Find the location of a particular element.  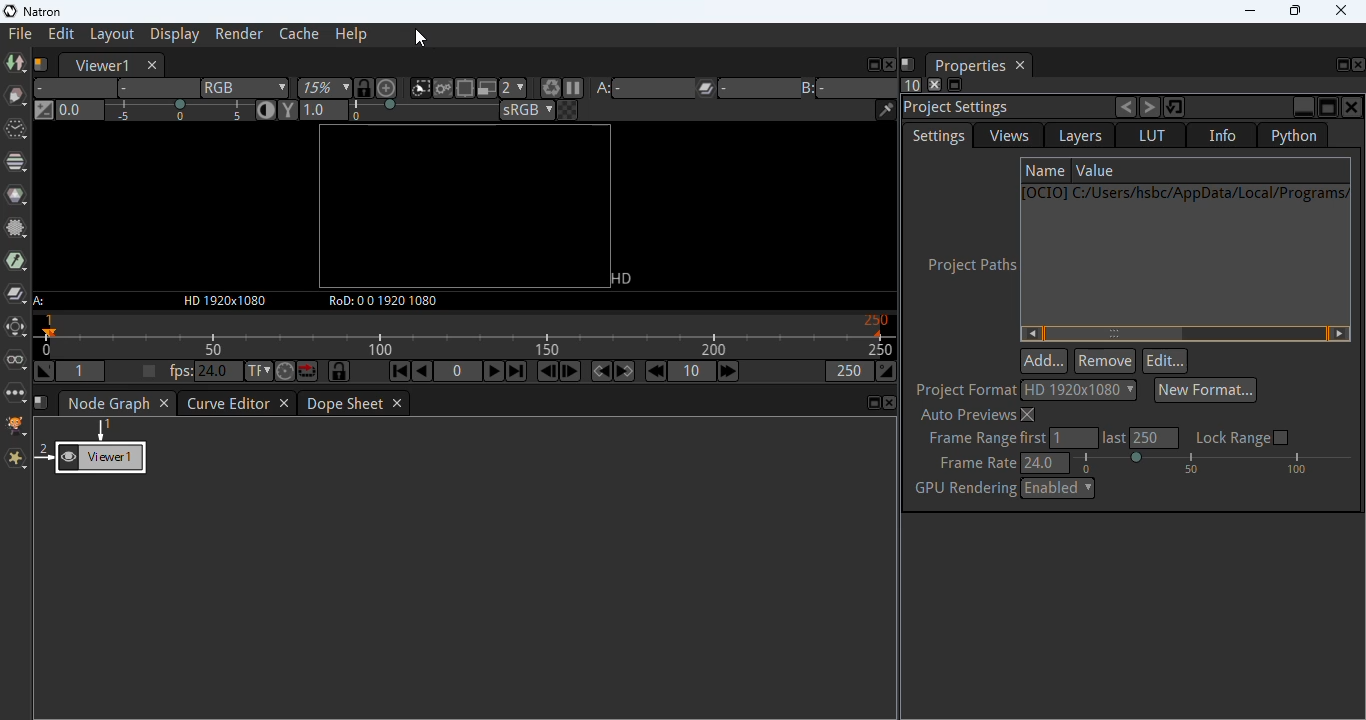

viewer gamma correction: switch between gamma=1.0 and user setting. is located at coordinates (288, 111).